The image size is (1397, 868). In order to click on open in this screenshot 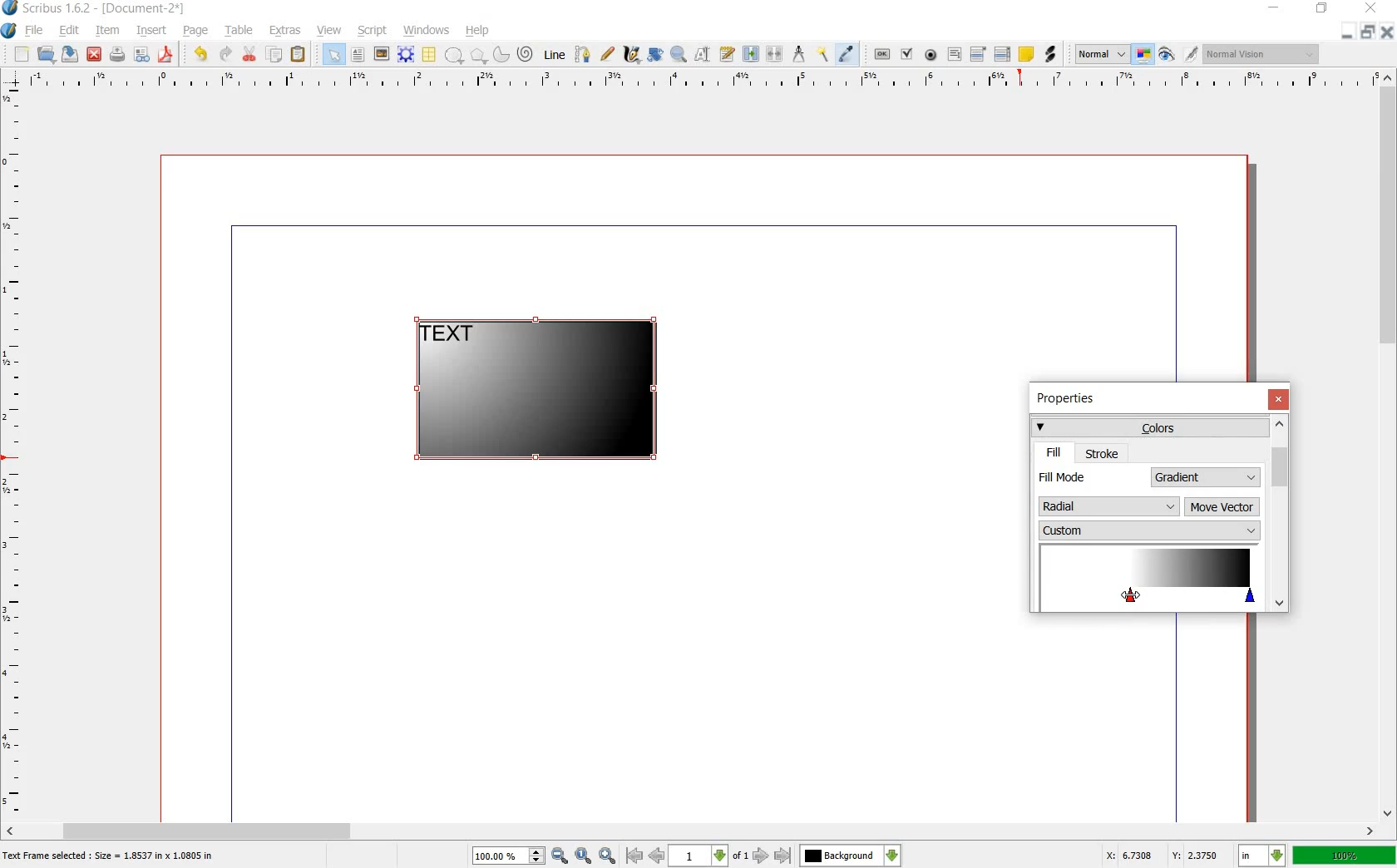, I will do `click(48, 55)`.